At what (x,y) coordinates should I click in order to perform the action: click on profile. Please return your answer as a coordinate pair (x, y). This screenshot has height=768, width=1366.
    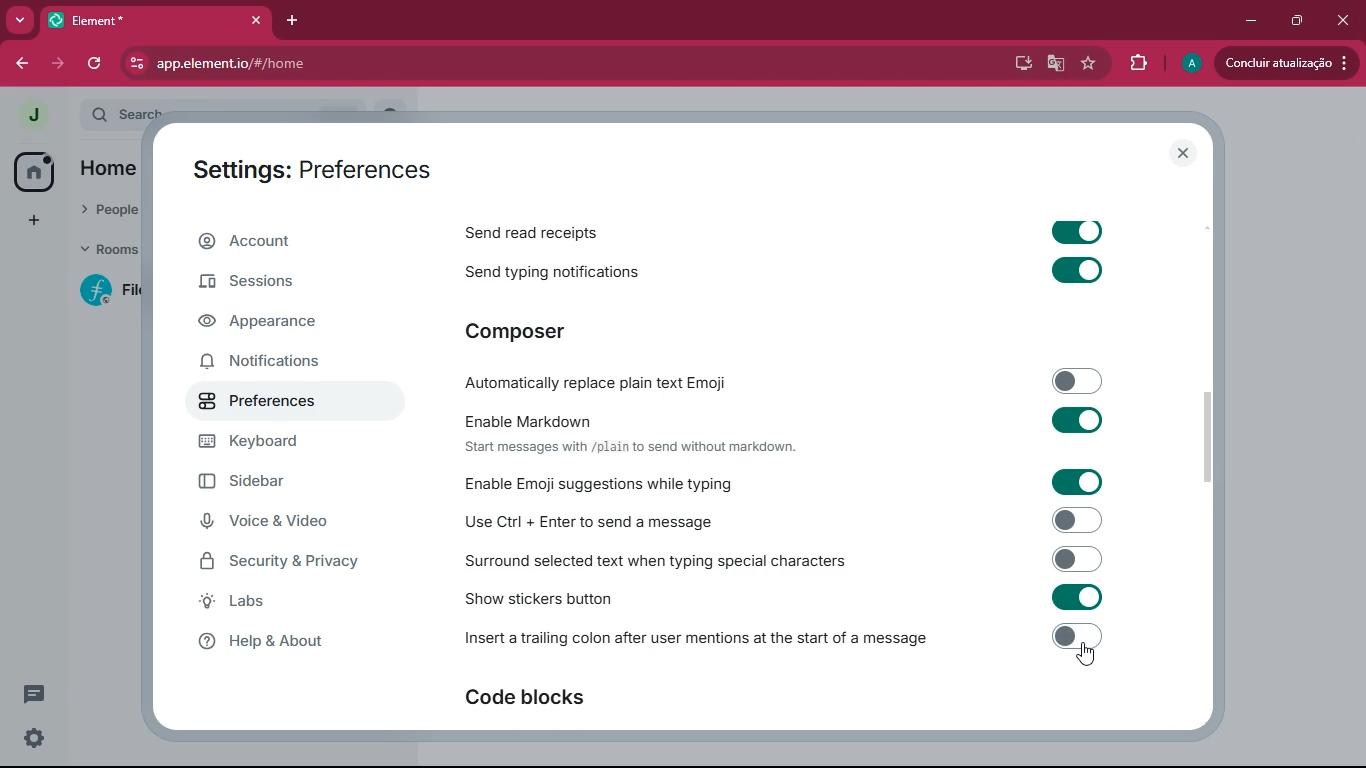
    Looking at the image, I should click on (1189, 62).